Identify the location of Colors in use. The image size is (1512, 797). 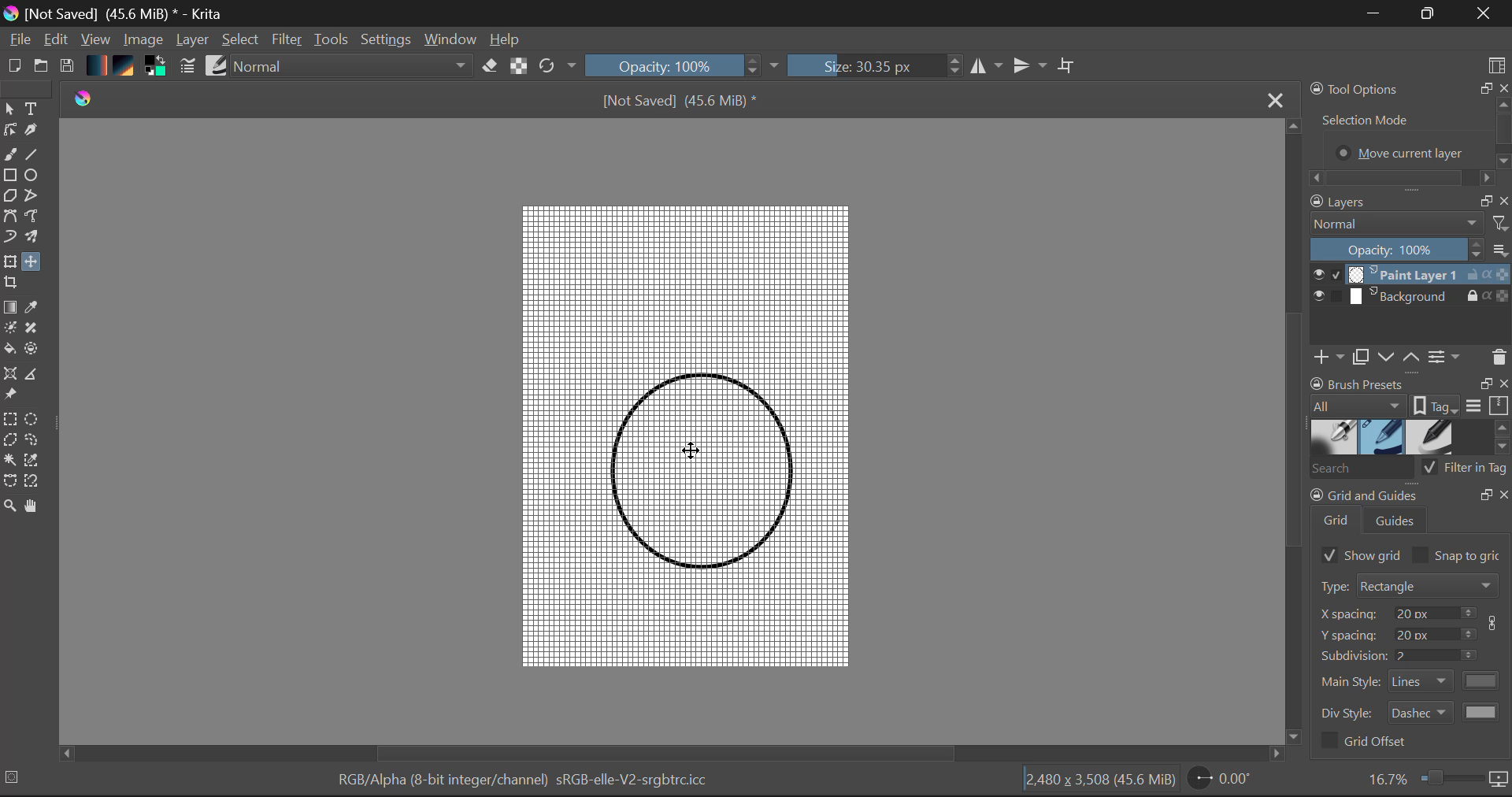
(159, 69).